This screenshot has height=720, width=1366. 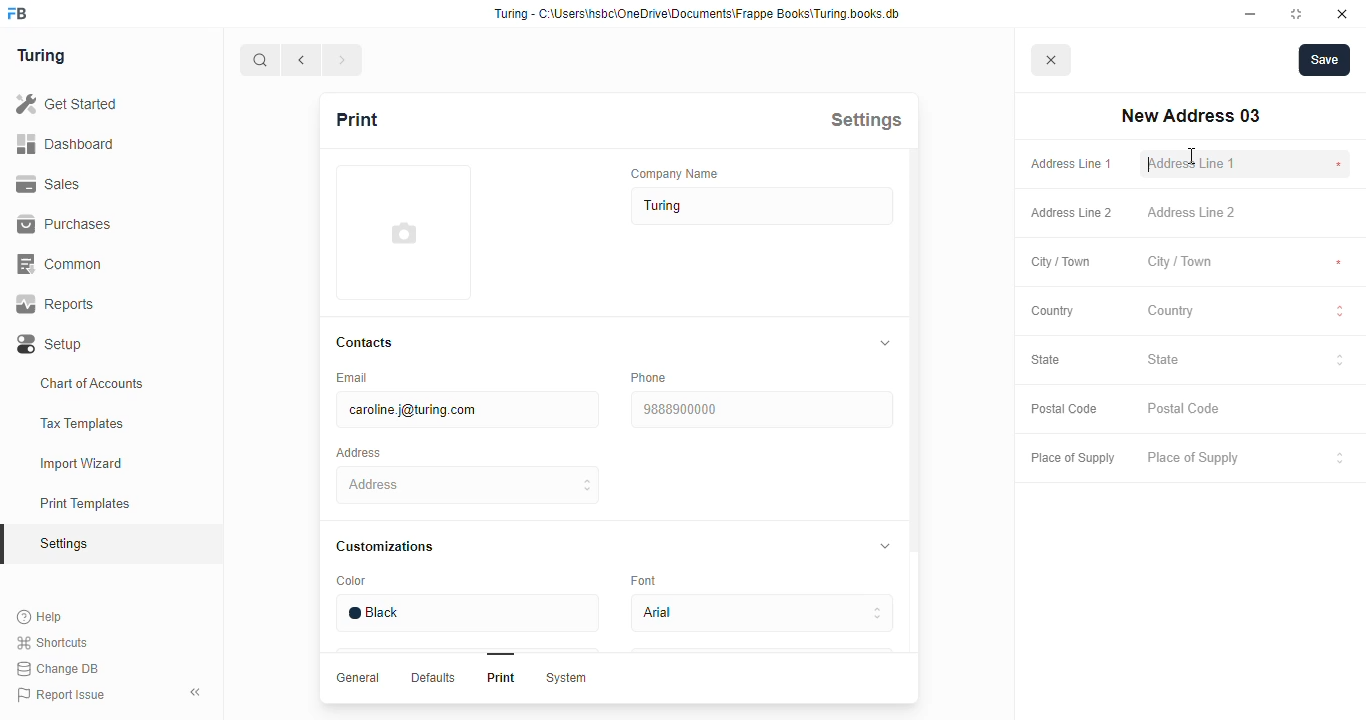 I want to click on arial, so click(x=761, y=614).